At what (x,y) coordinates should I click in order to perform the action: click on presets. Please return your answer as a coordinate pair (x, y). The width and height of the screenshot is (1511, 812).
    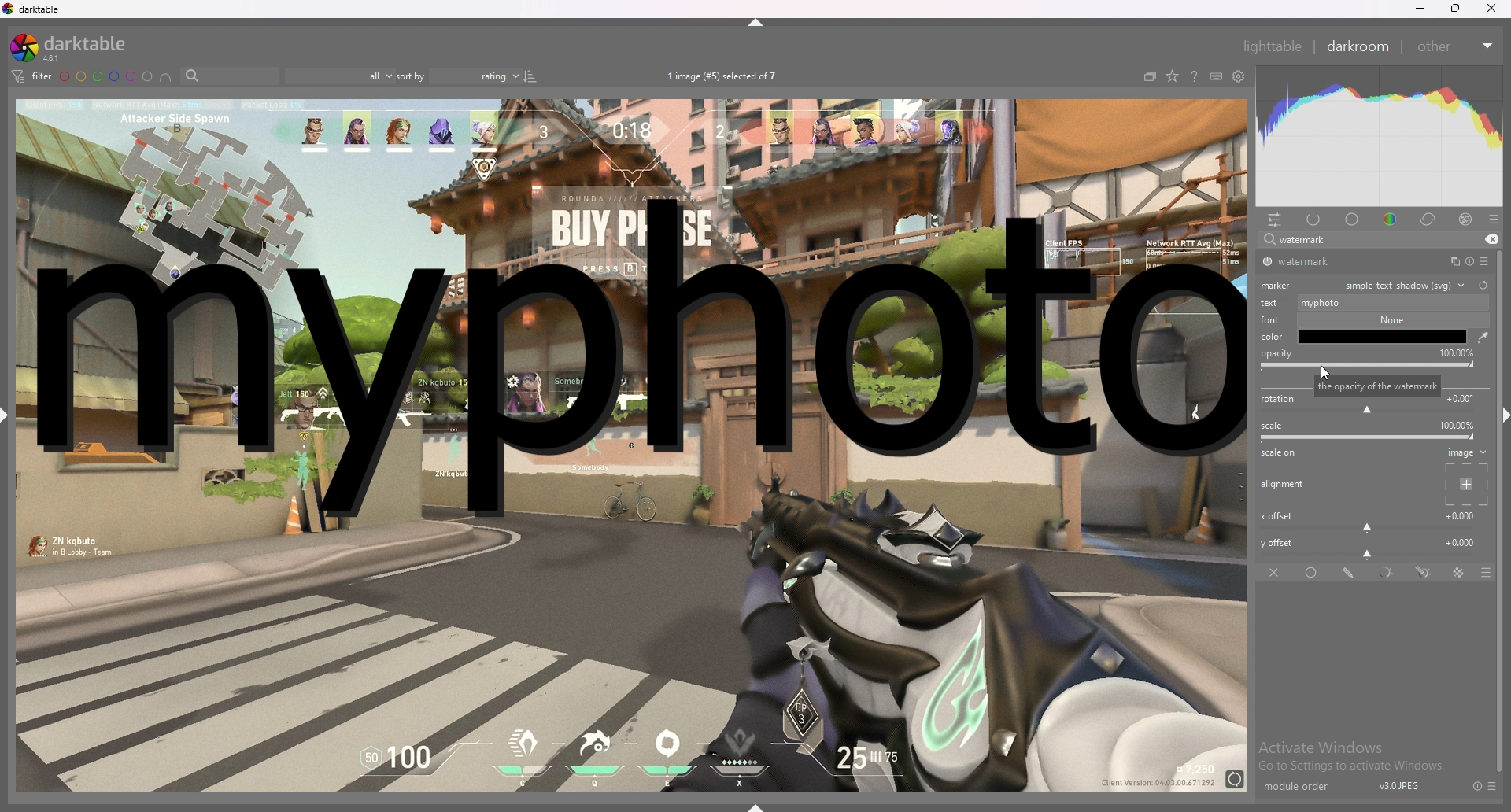
    Looking at the image, I should click on (1484, 261).